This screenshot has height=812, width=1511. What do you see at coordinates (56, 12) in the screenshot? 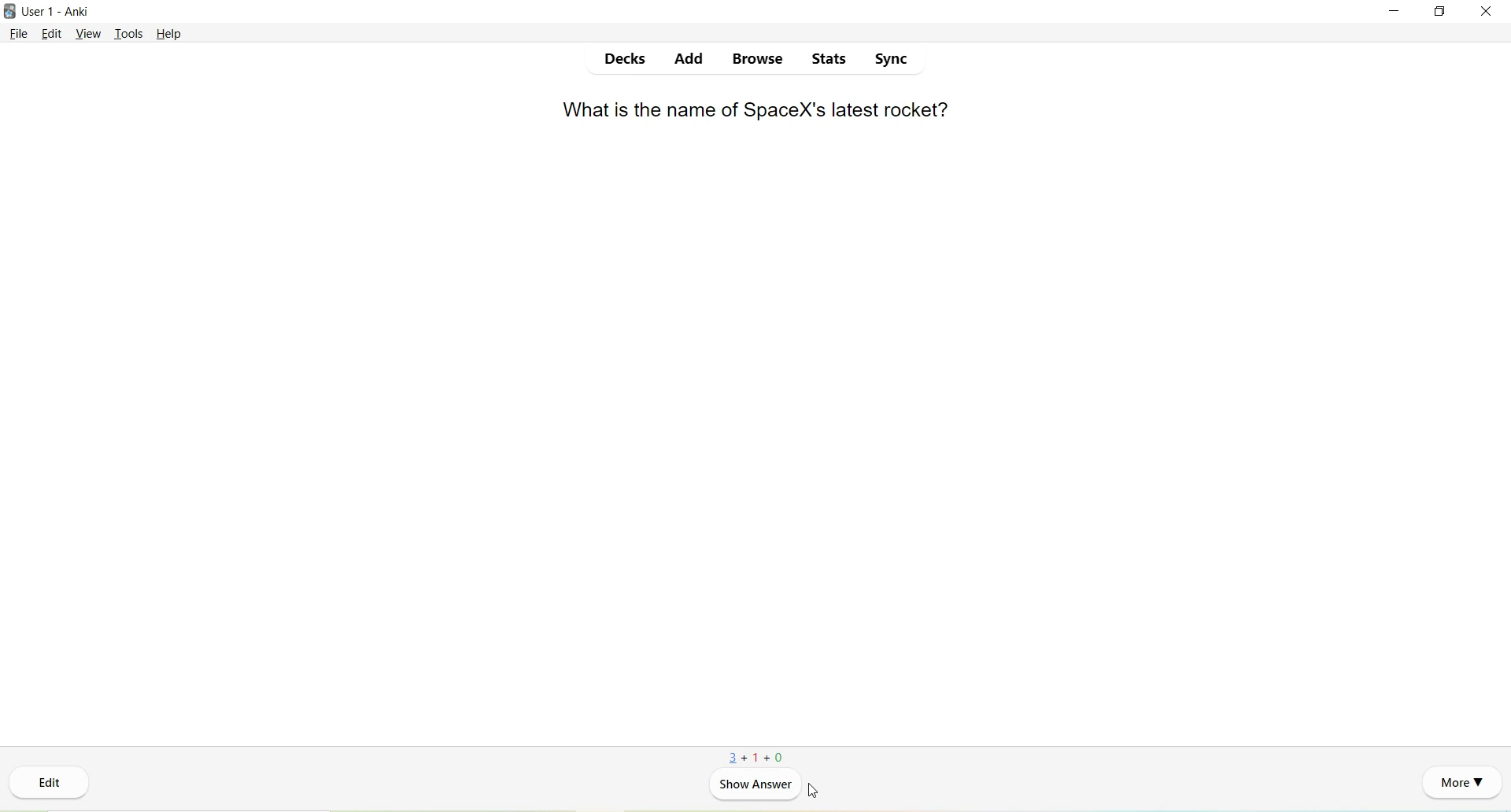
I see `User 1 - Anki` at bounding box center [56, 12].